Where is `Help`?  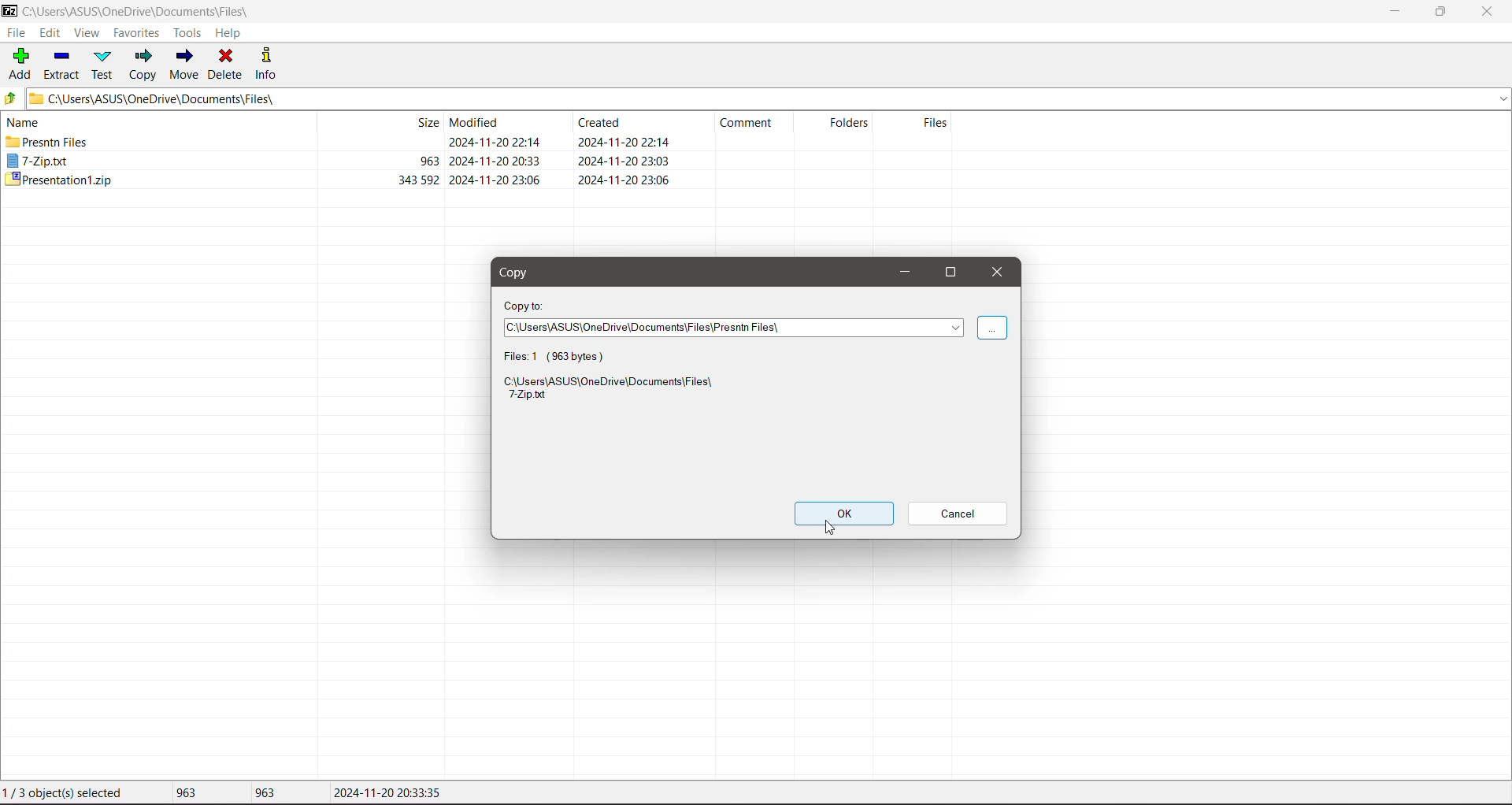 Help is located at coordinates (228, 33).